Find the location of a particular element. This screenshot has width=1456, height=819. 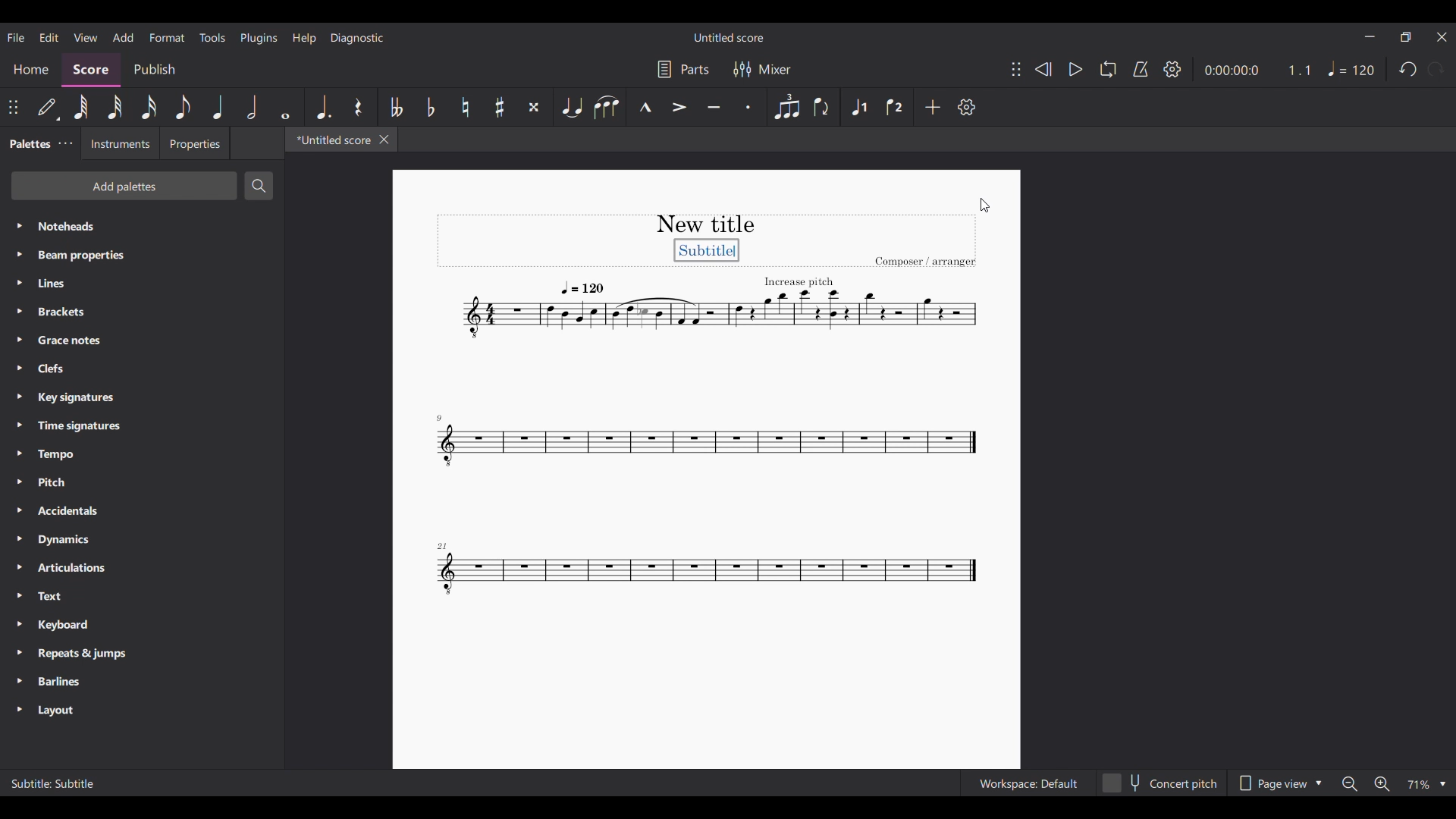

Redo is located at coordinates (1436, 69).